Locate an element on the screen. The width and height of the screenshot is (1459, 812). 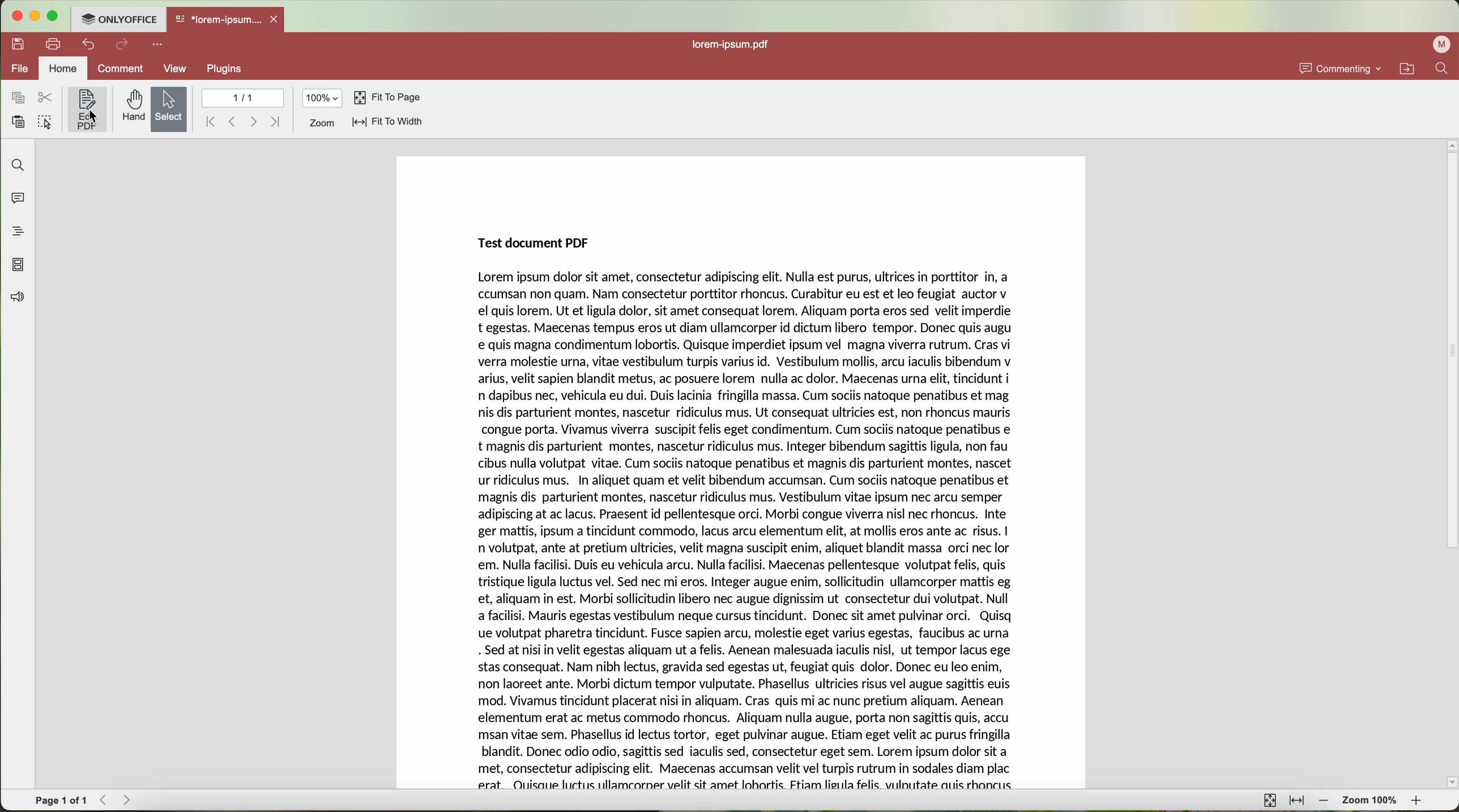
*lorem-ipsum.... is located at coordinates (217, 17).